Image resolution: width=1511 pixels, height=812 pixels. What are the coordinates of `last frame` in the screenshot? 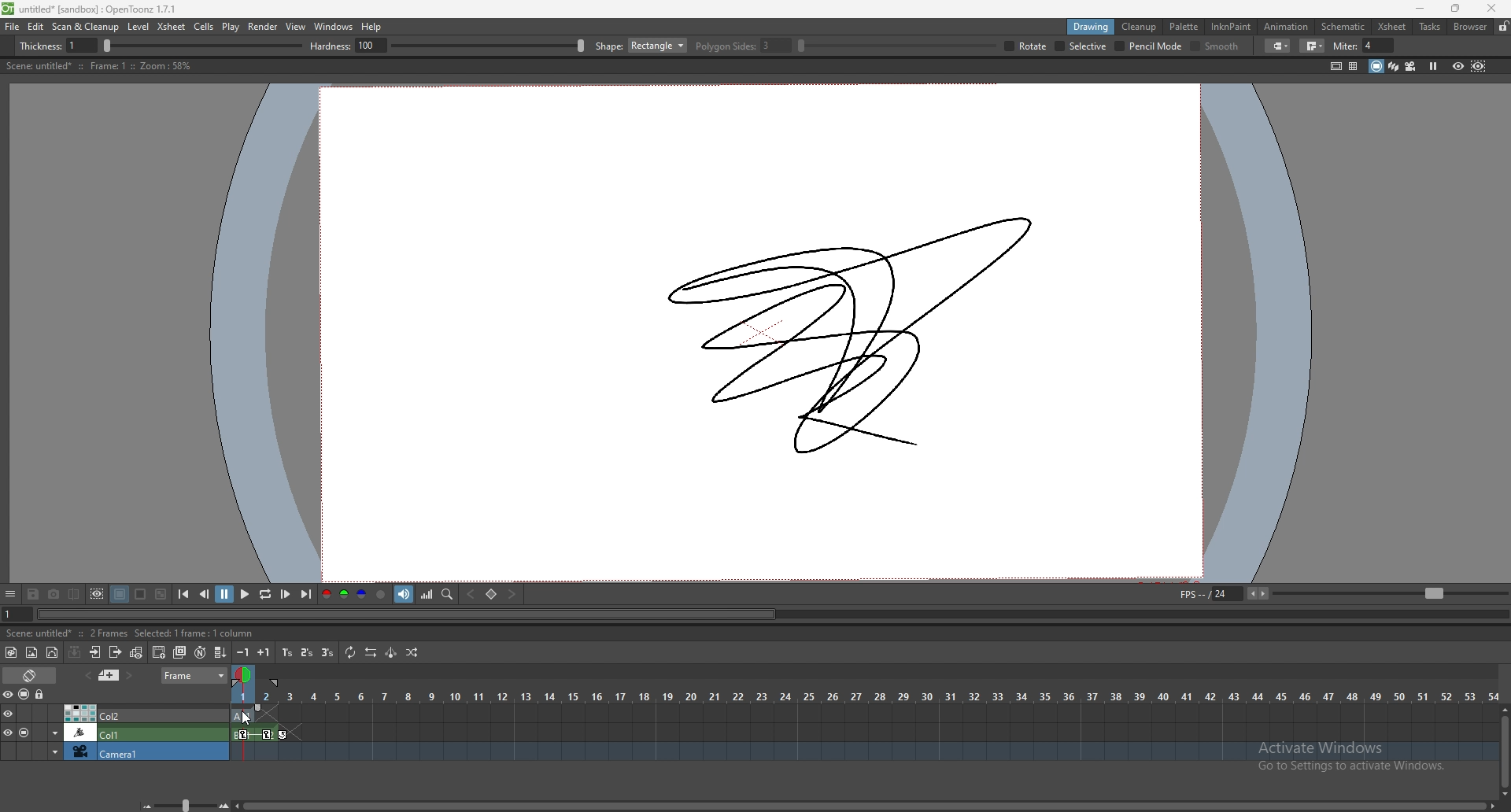 It's located at (305, 594).